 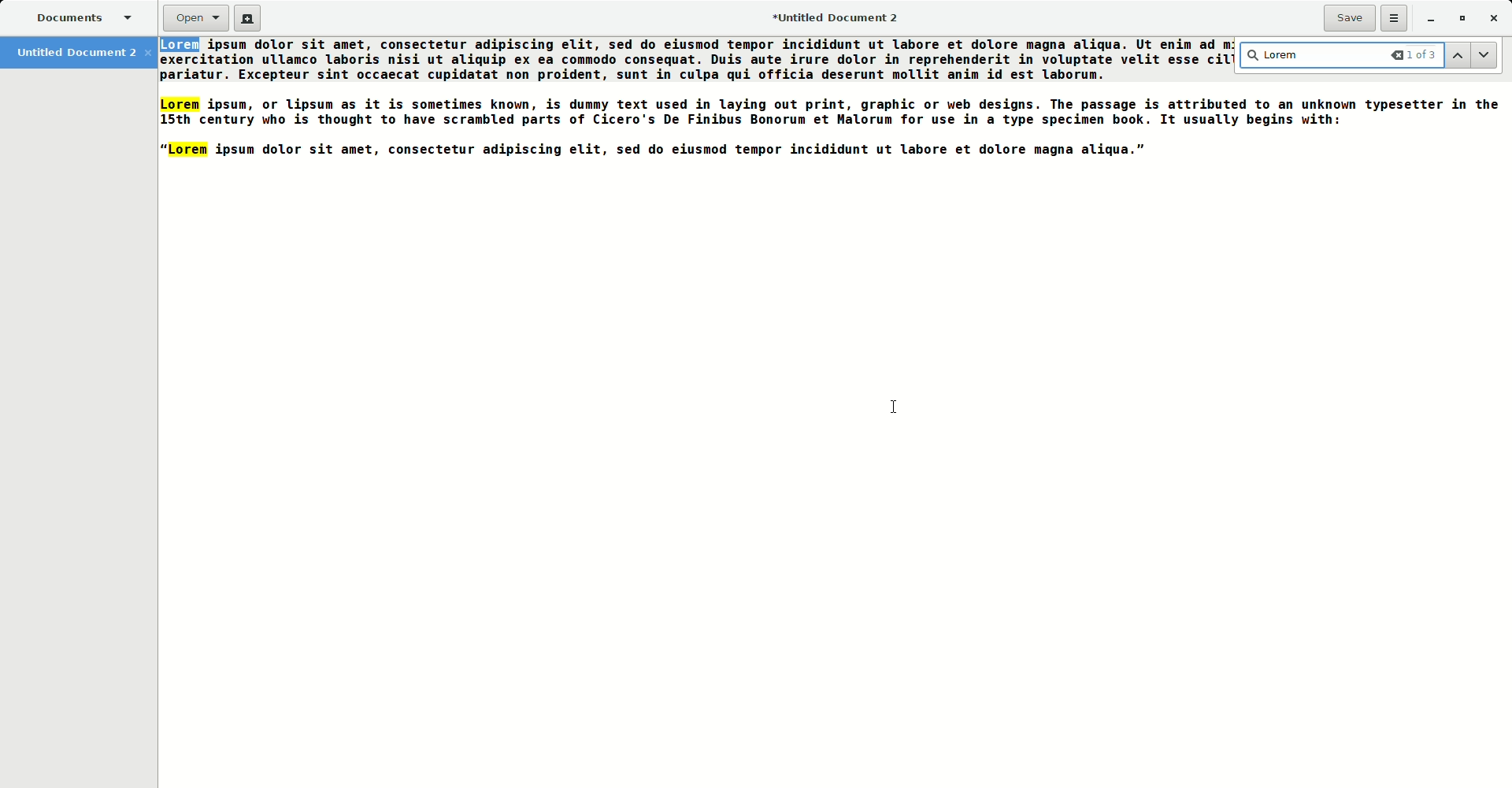 I want to click on Paragraphs, so click(x=1373, y=121).